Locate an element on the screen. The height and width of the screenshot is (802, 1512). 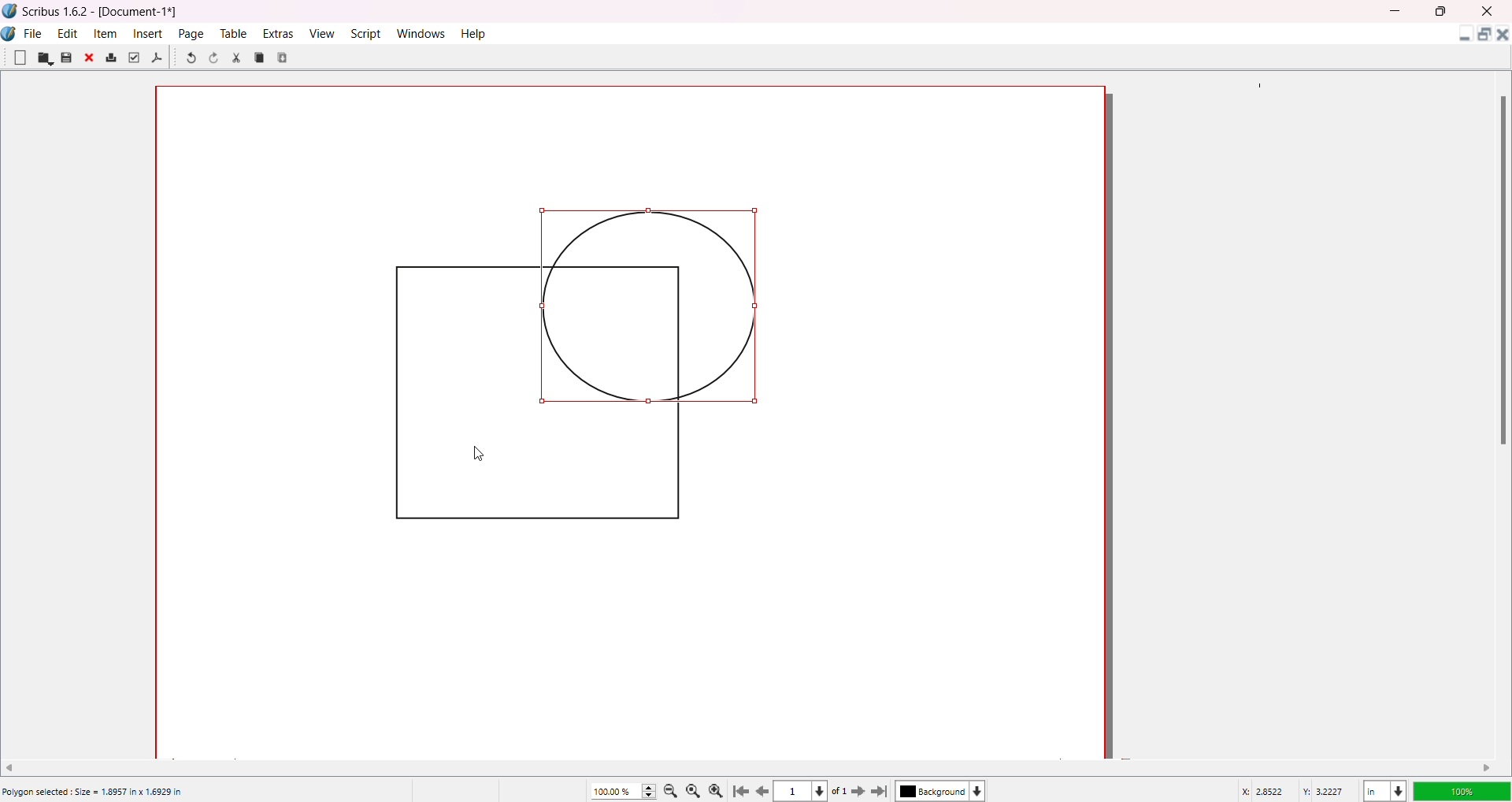
Current page is located at coordinates (795, 792).